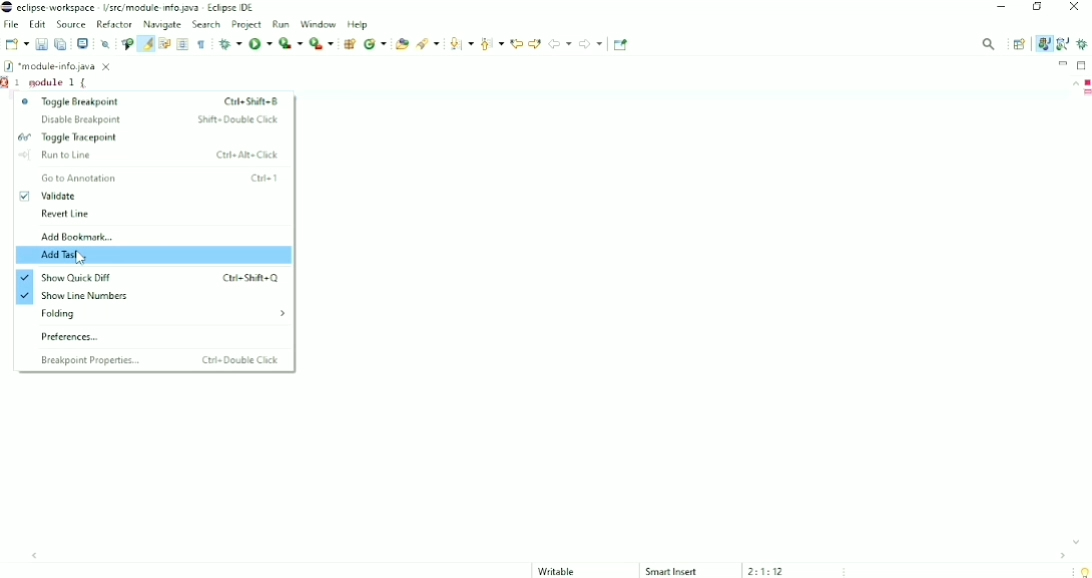  Describe the element at coordinates (319, 23) in the screenshot. I see `Window` at that location.